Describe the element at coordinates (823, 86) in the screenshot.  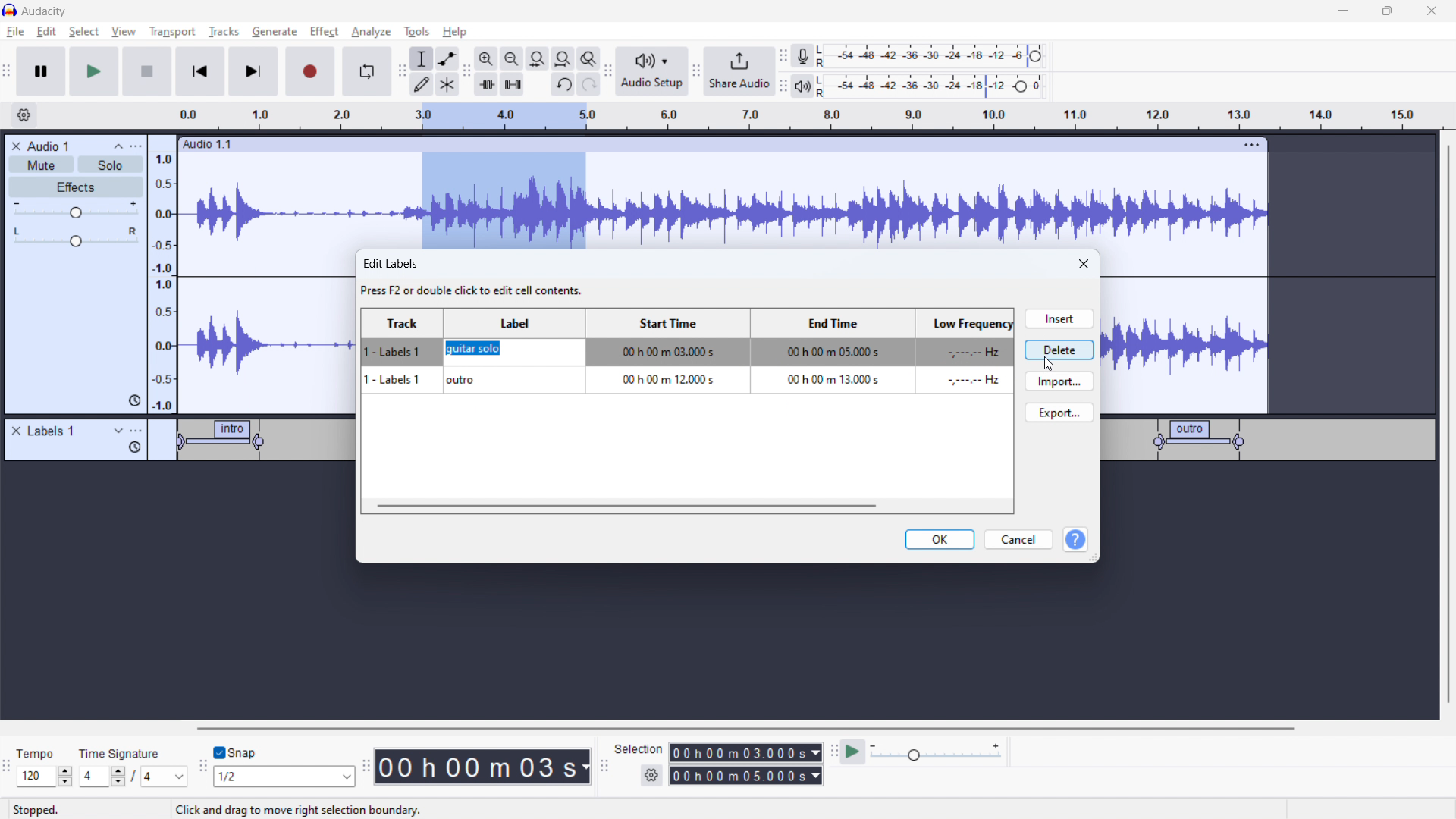
I see `` at that location.